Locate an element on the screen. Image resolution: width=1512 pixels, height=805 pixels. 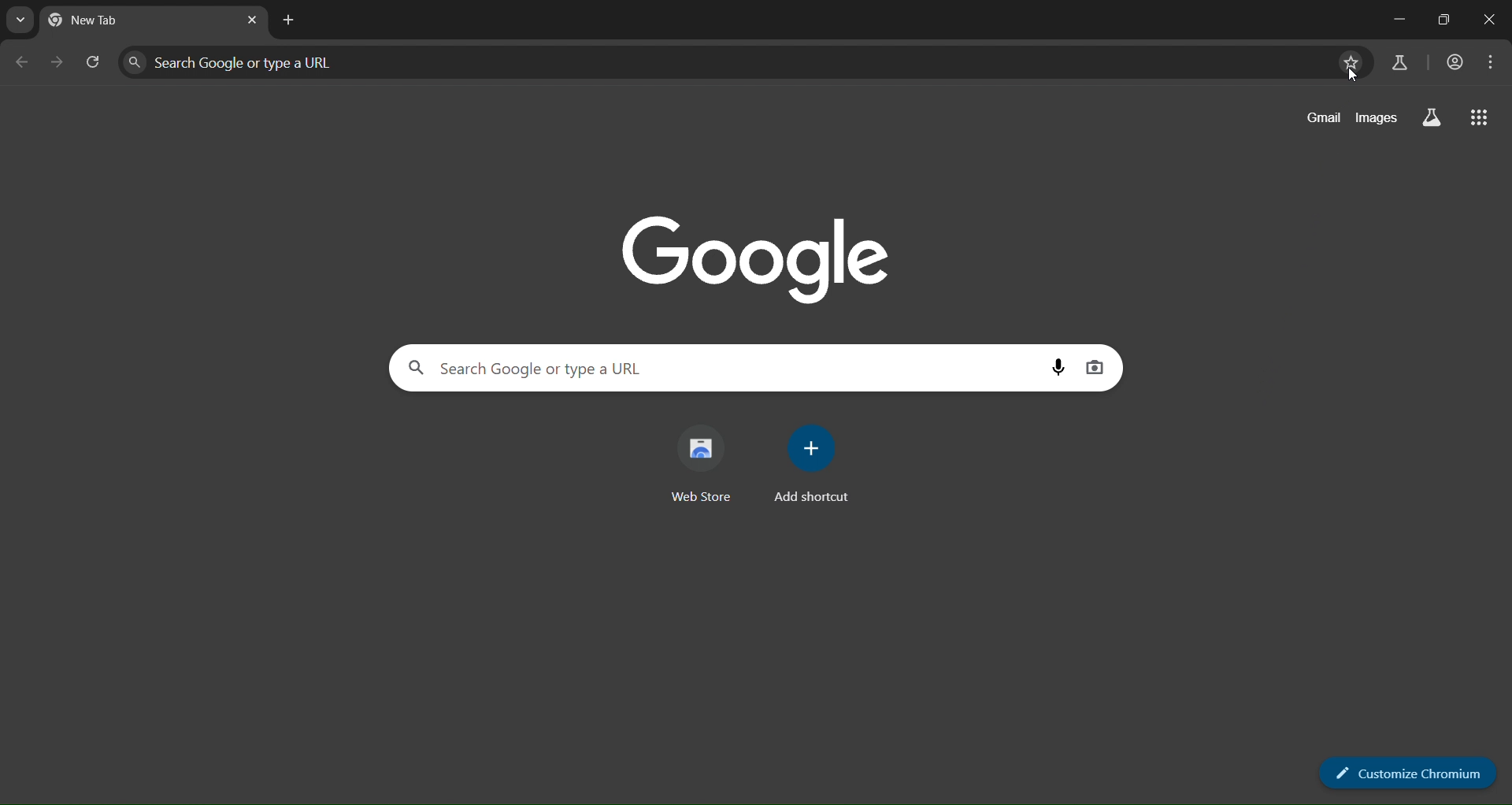
voice search is located at coordinates (1059, 367).